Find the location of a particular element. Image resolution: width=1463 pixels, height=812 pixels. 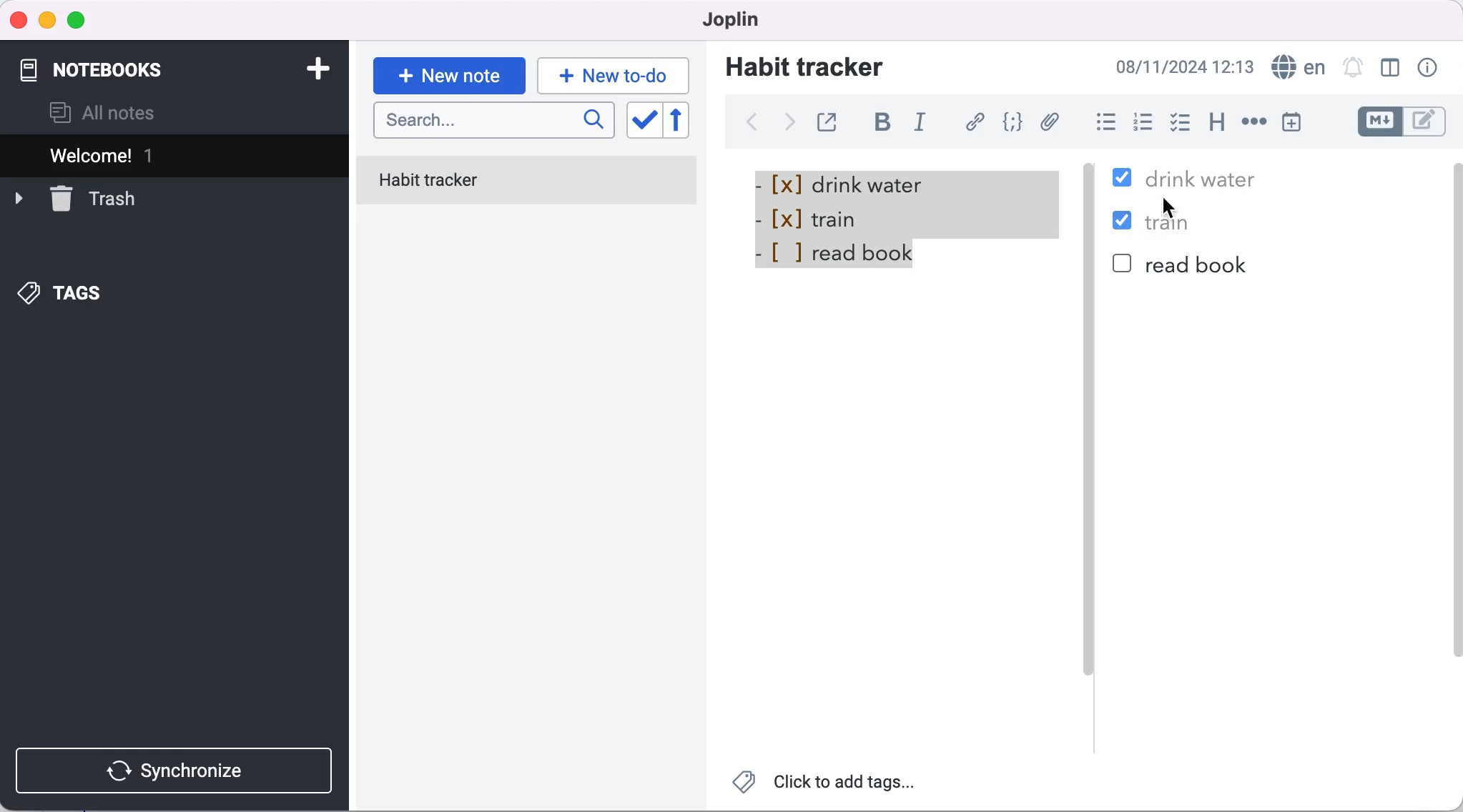

close is located at coordinates (19, 19).